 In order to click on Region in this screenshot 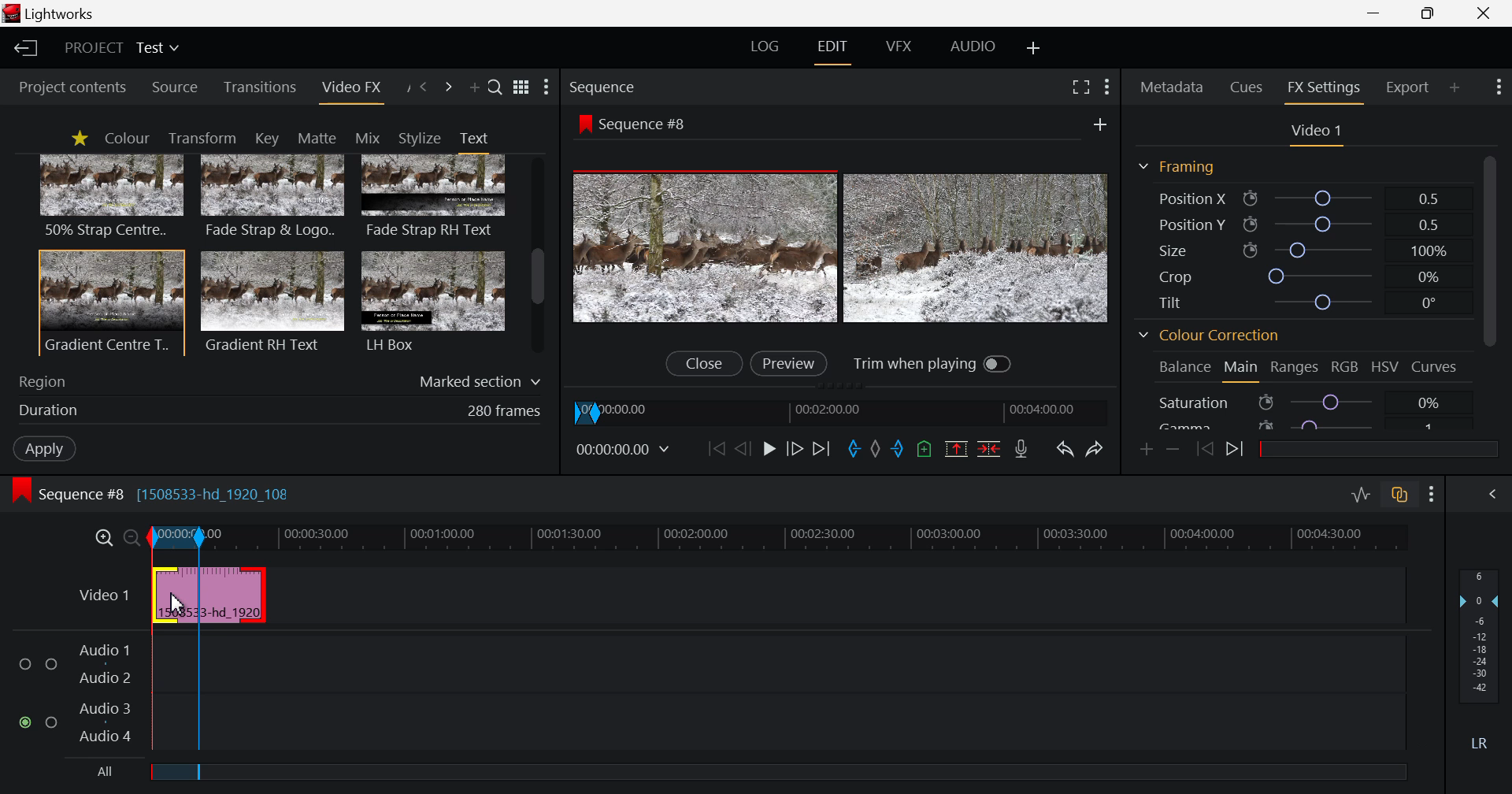, I will do `click(280, 378)`.